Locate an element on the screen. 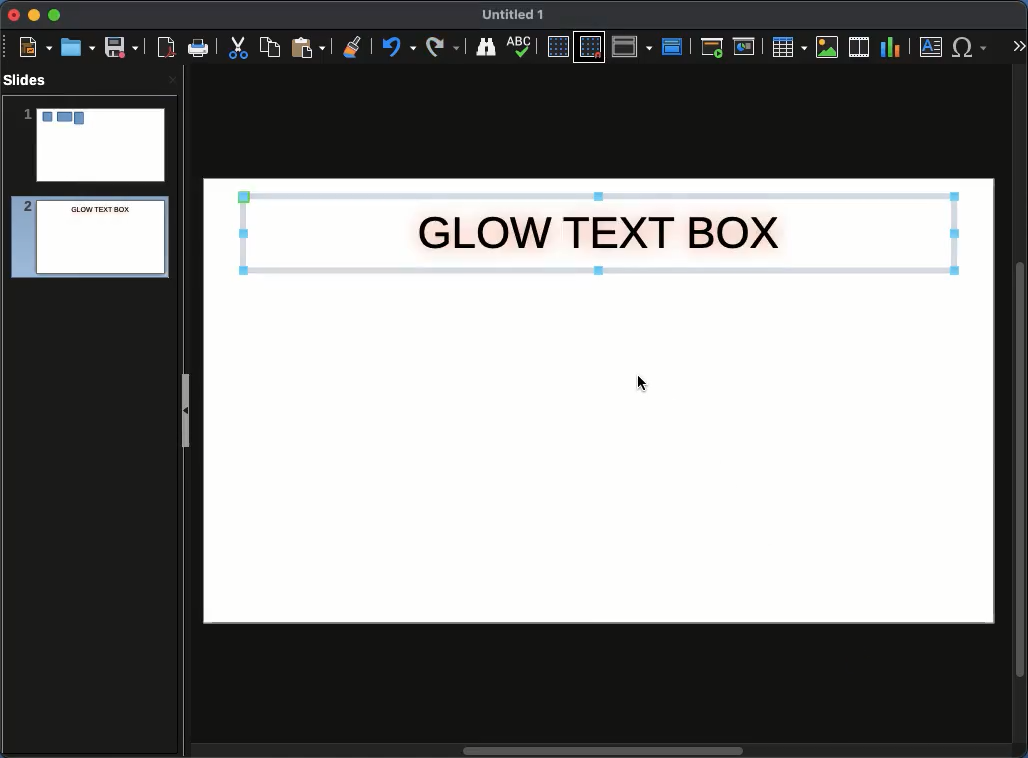 This screenshot has height=758, width=1028. Current slide is located at coordinates (747, 47).